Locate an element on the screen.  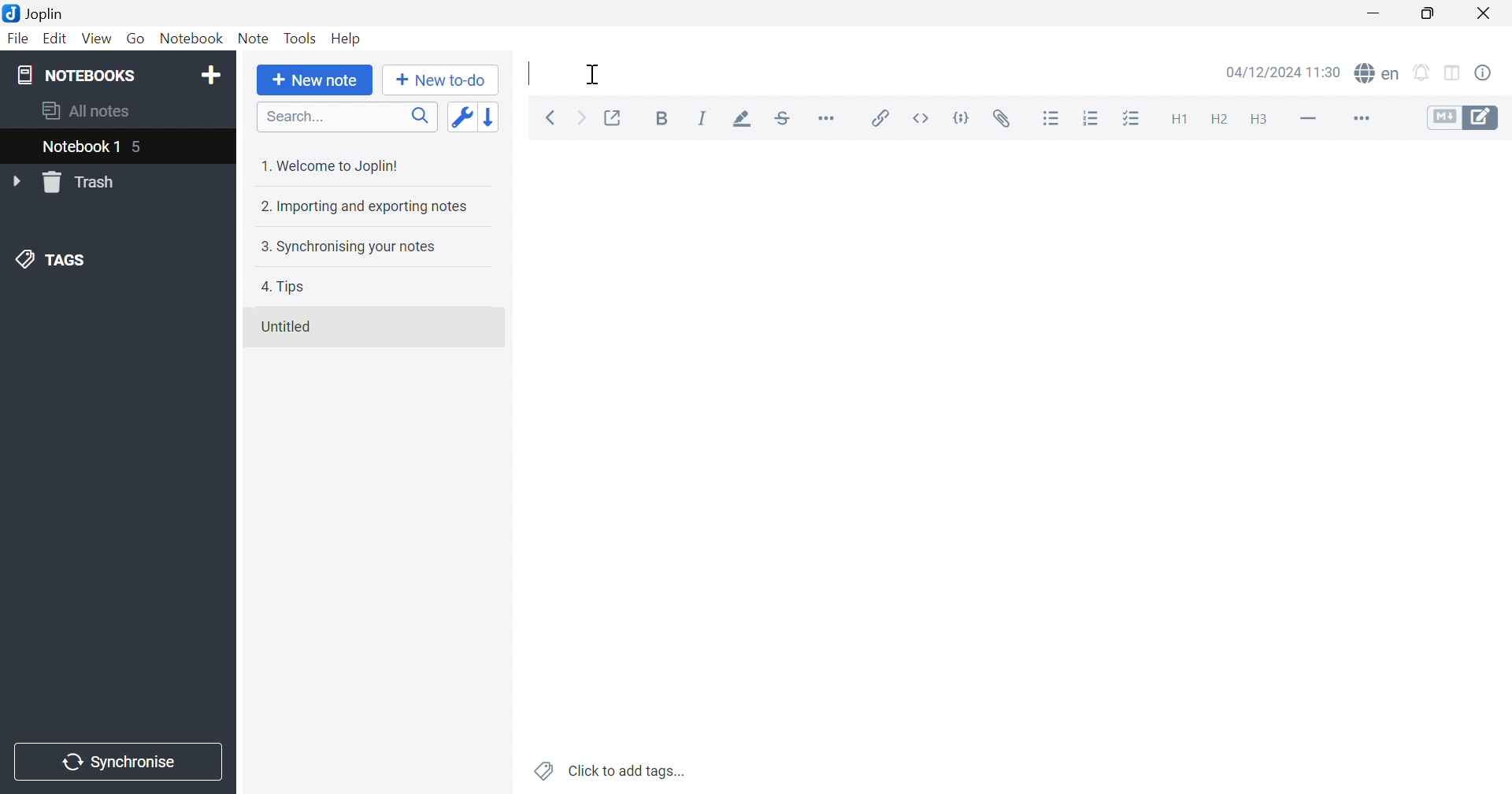
Reverse sort order is located at coordinates (490, 117).